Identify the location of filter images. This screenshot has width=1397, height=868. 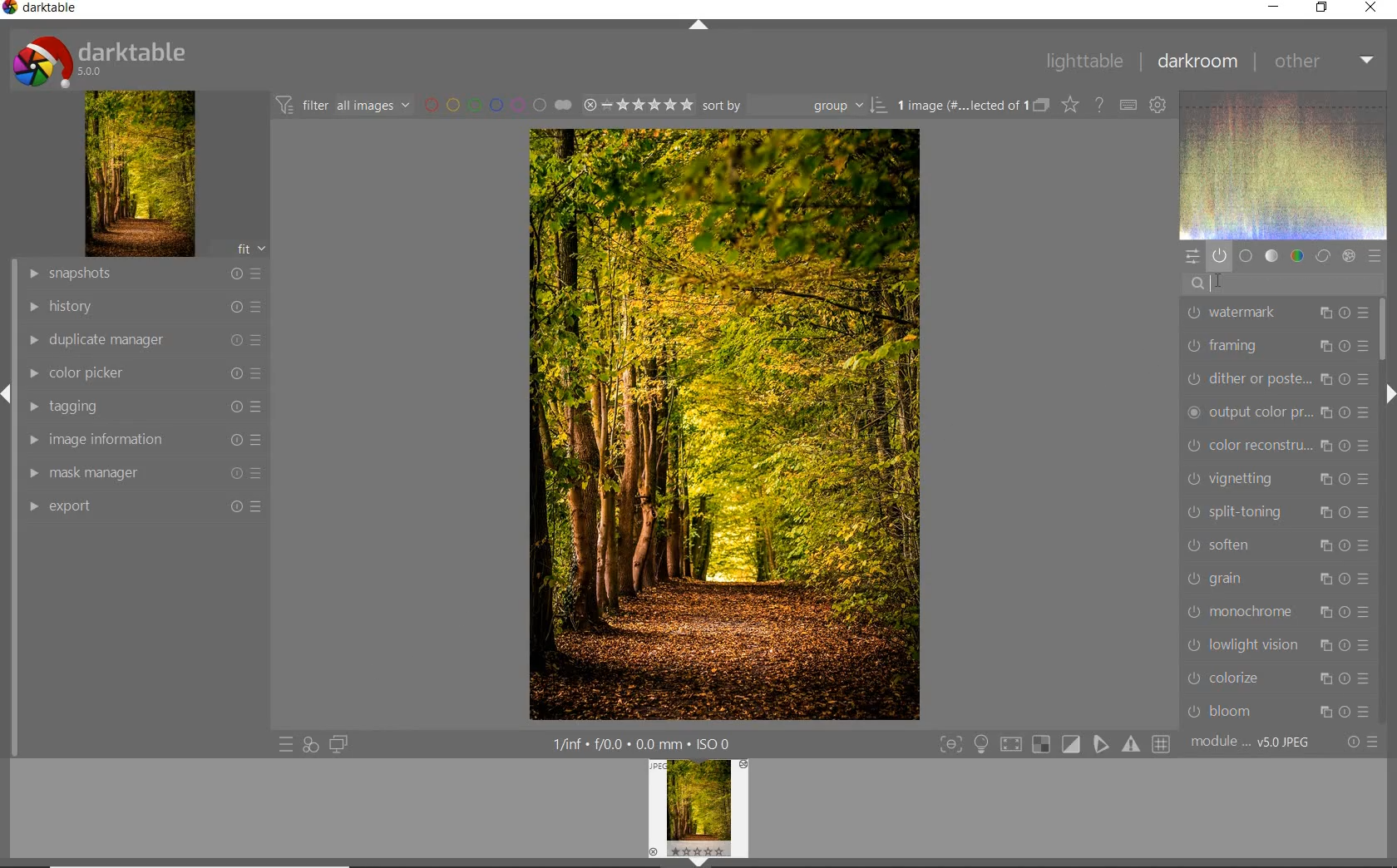
(342, 106).